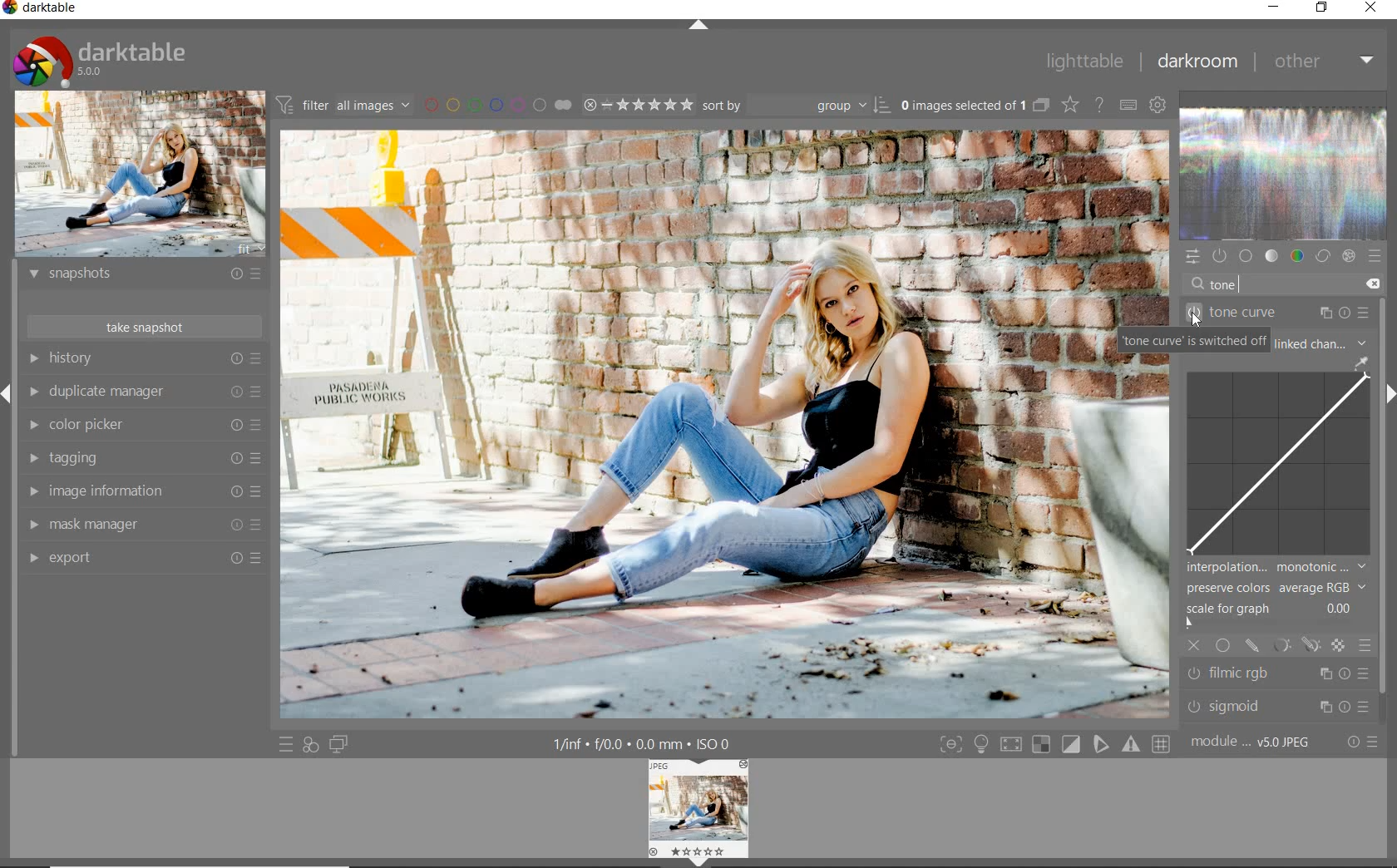 This screenshot has height=868, width=1397. I want to click on snapshots, so click(144, 277).